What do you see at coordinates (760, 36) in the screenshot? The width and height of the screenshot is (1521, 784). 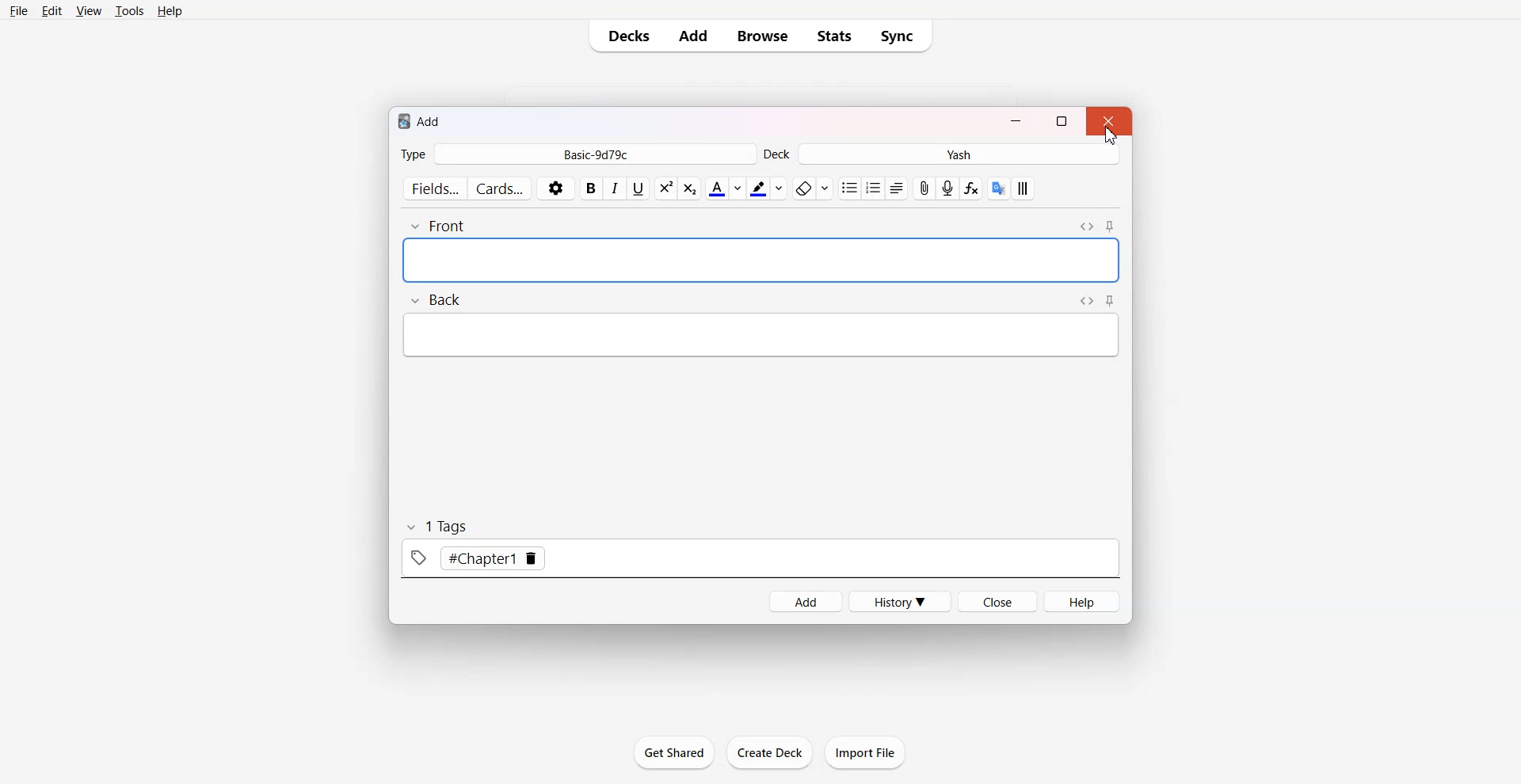 I see `Browse` at bounding box center [760, 36].